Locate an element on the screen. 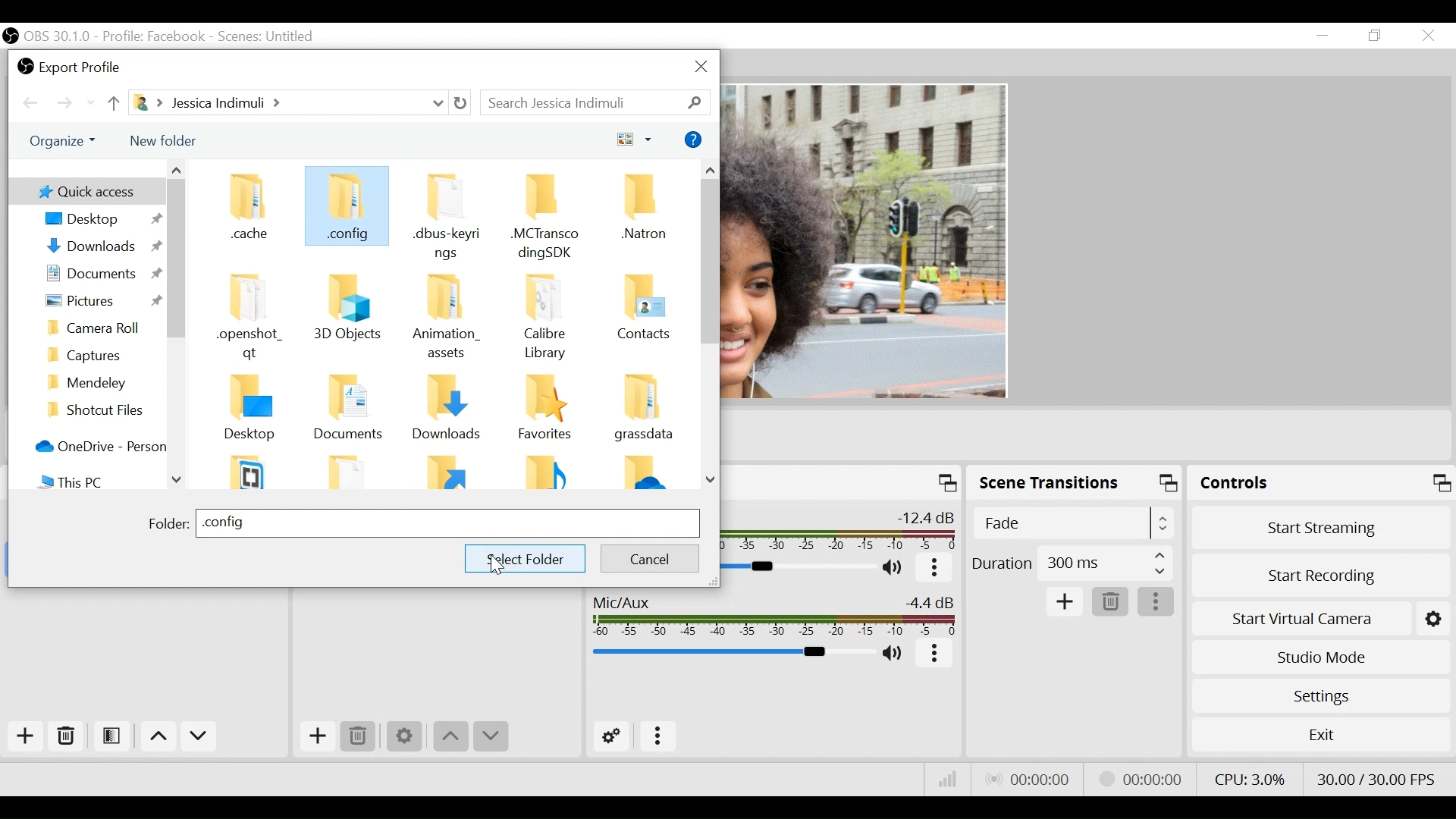  Live Status is located at coordinates (1032, 781).